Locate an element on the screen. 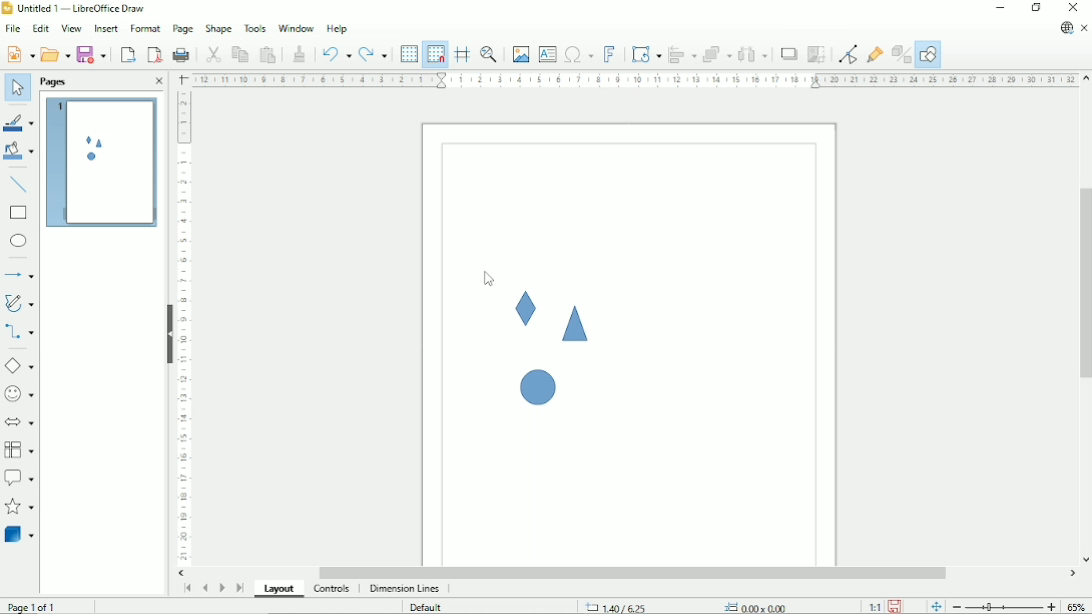  Curves and polygons is located at coordinates (19, 303).